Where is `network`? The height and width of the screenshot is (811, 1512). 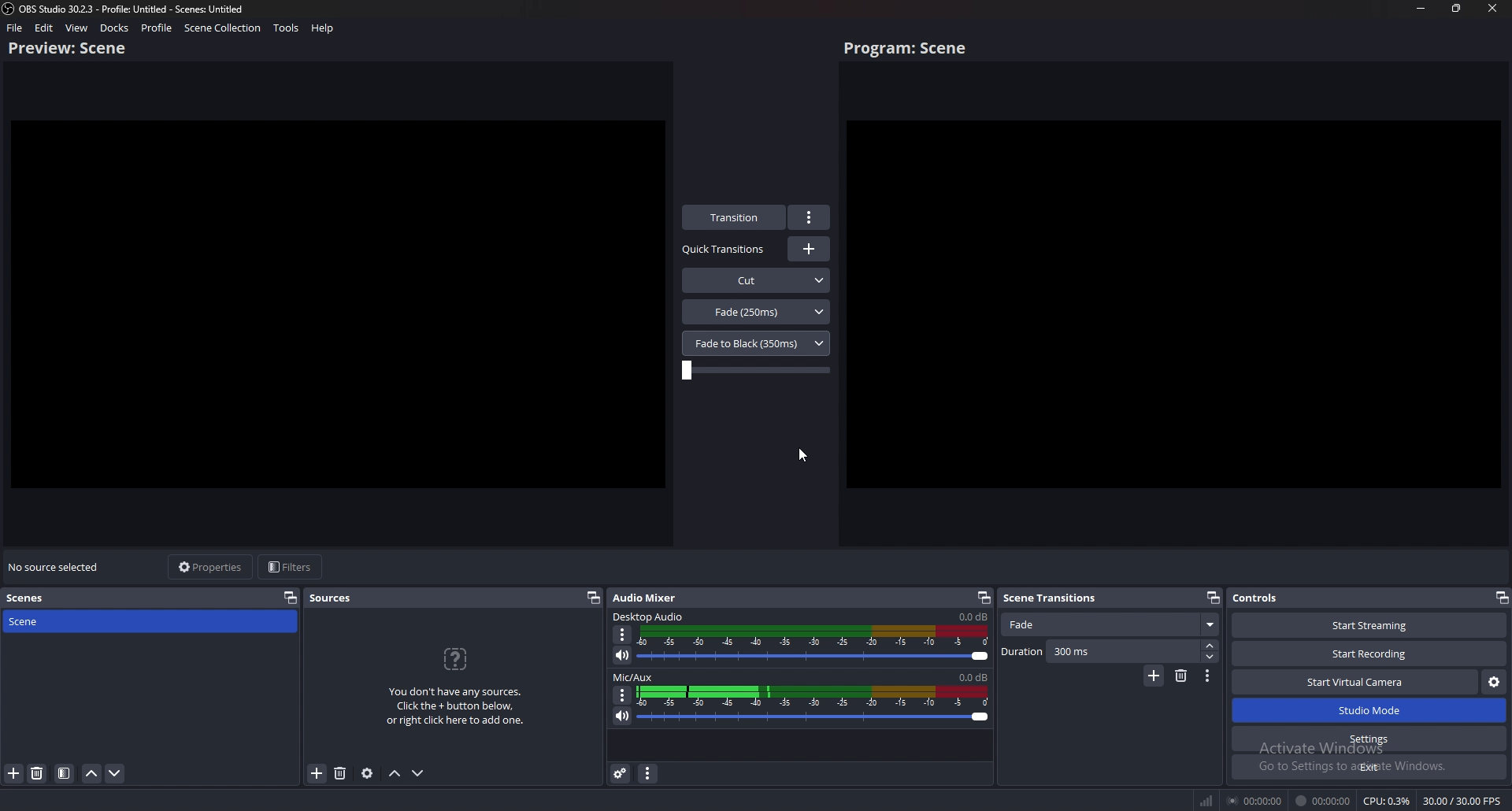 network is located at coordinates (1204, 801).